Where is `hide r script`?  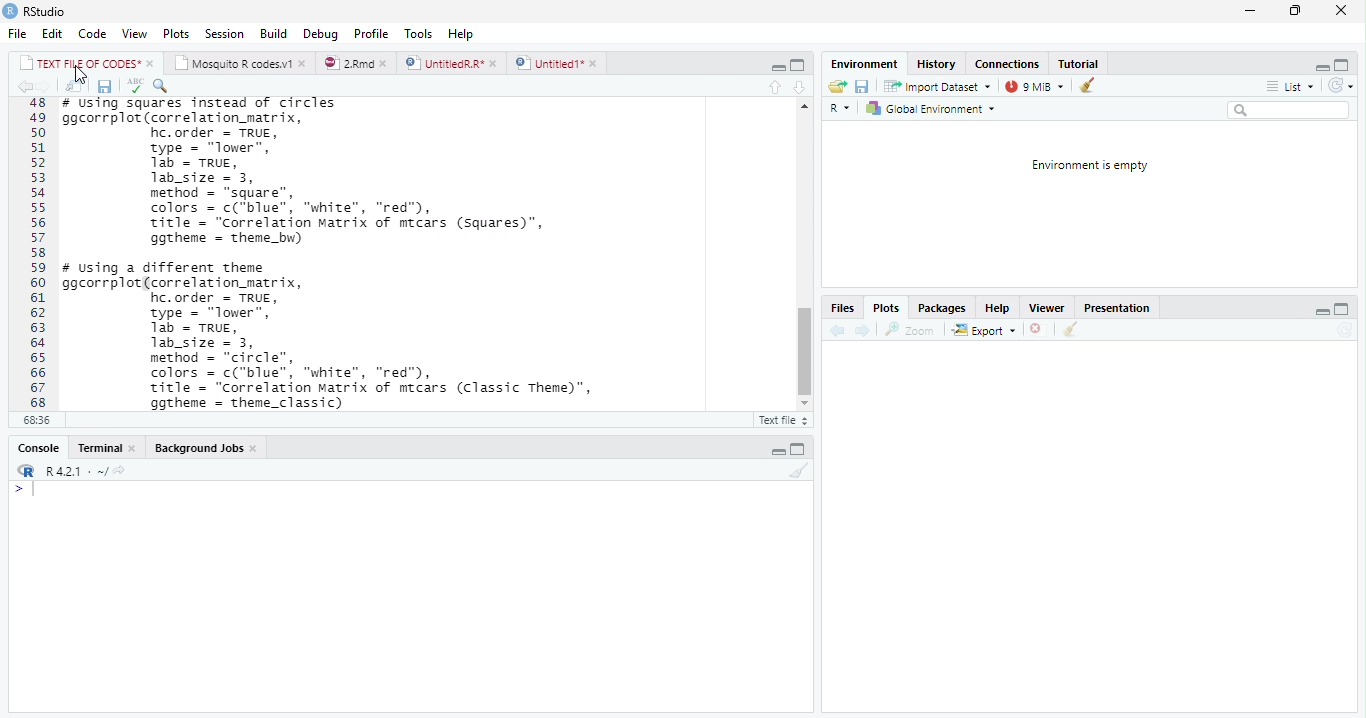
hide r script is located at coordinates (775, 67).